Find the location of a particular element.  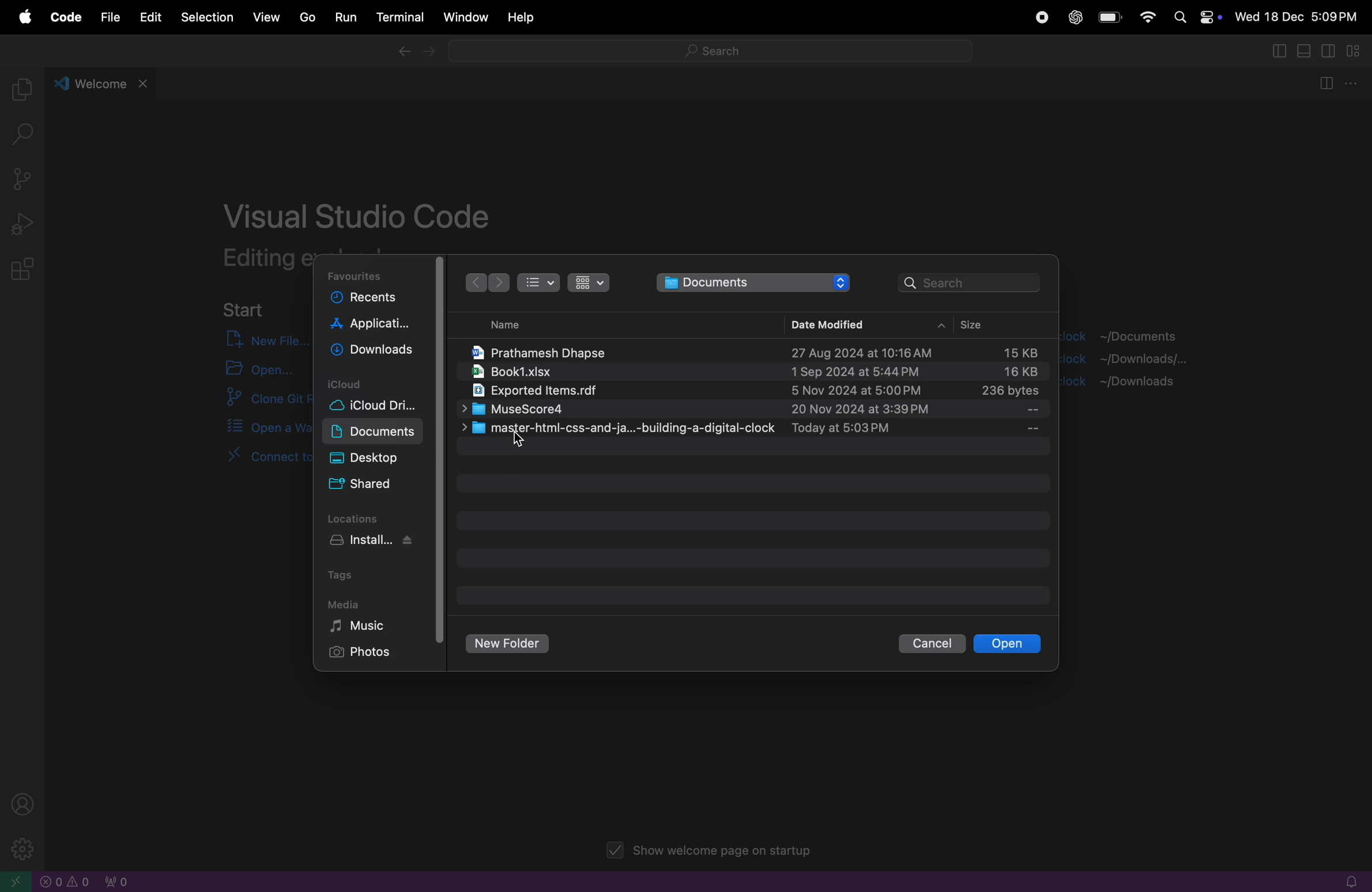

favourites is located at coordinates (358, 275).